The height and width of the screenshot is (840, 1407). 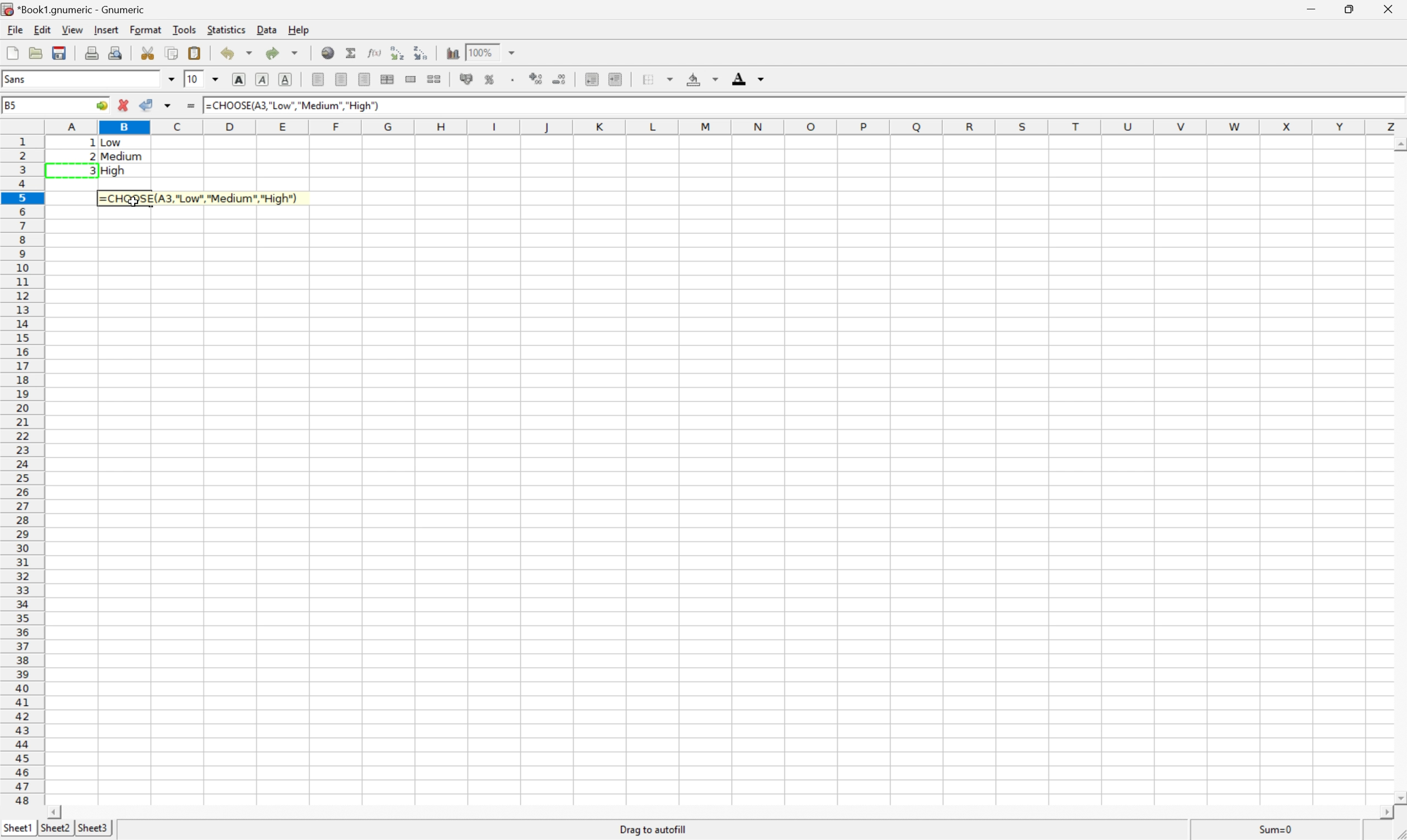 What do you see at coordinates (190, 106) in the screenshot?
I see `Enter formula` at bounding box center [190, 106].